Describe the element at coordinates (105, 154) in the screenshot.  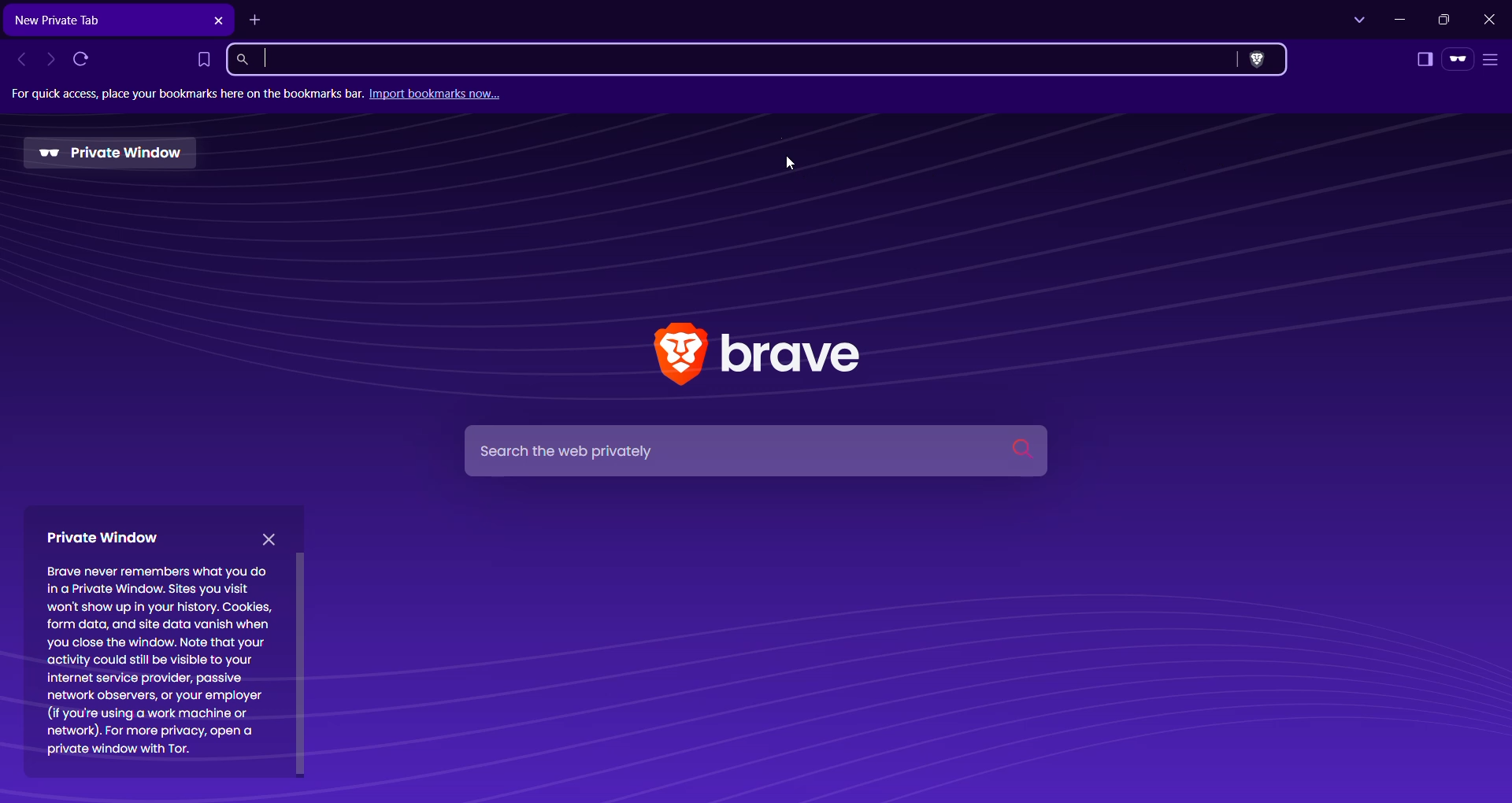
I see `Private Window` at that location.